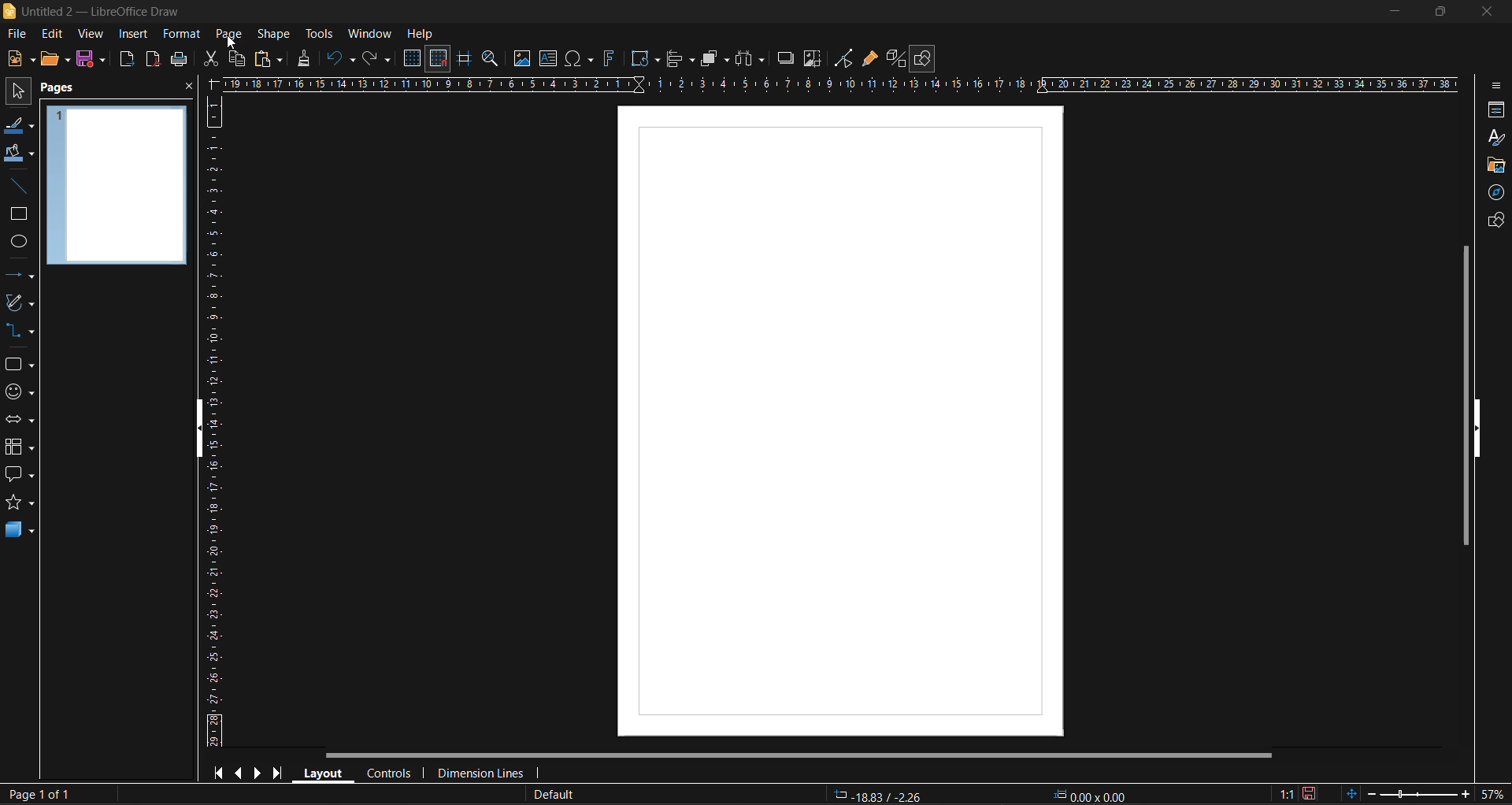 The image size is (1512, 805). What do you see at coordinates (898, 58) in the screenshot?
I see `toggle extrusion` at bounding box center [898, 58].